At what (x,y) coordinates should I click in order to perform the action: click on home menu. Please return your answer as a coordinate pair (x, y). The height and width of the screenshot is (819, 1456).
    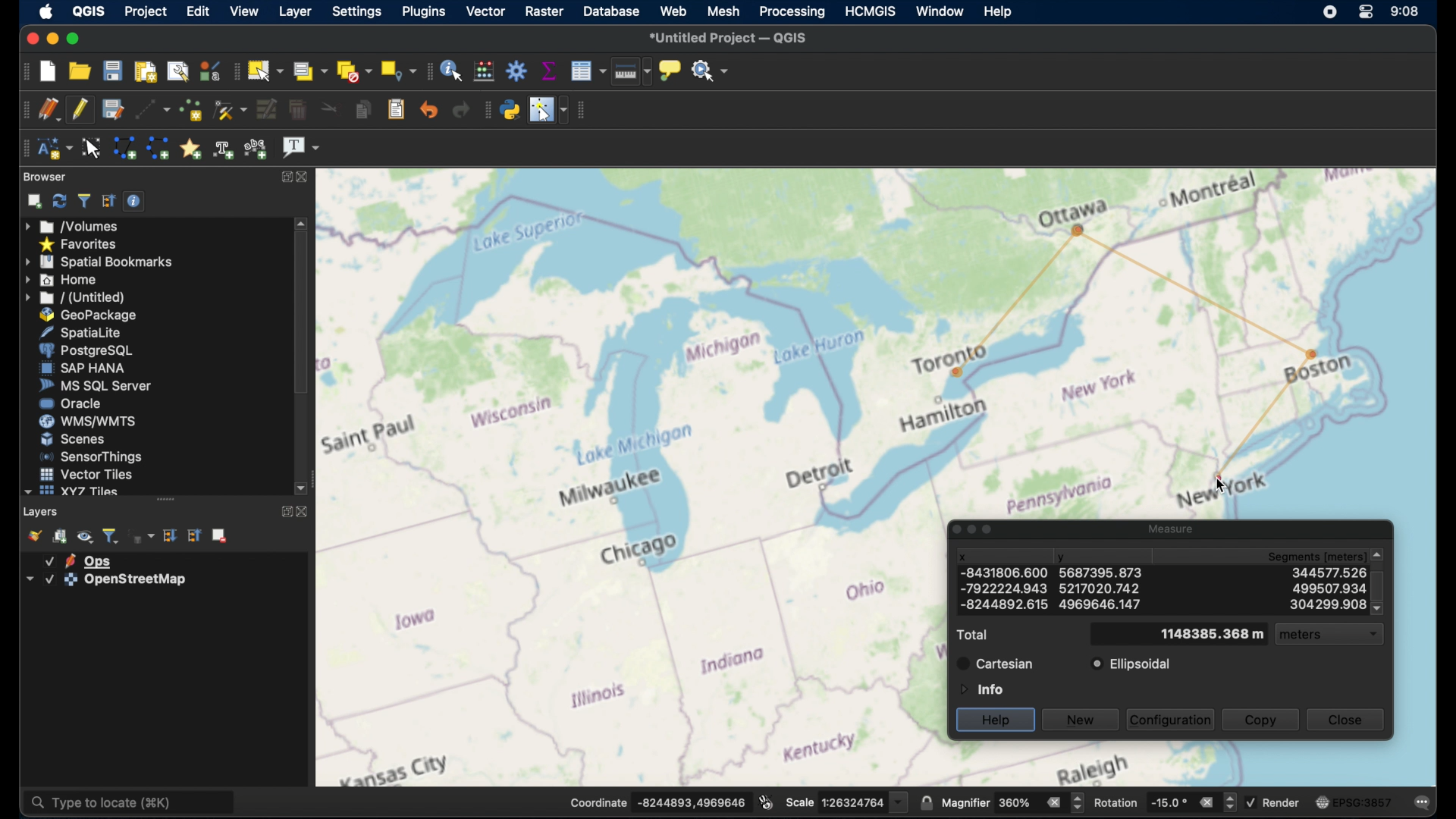
    Looking at the image, I should click on (67, 279).